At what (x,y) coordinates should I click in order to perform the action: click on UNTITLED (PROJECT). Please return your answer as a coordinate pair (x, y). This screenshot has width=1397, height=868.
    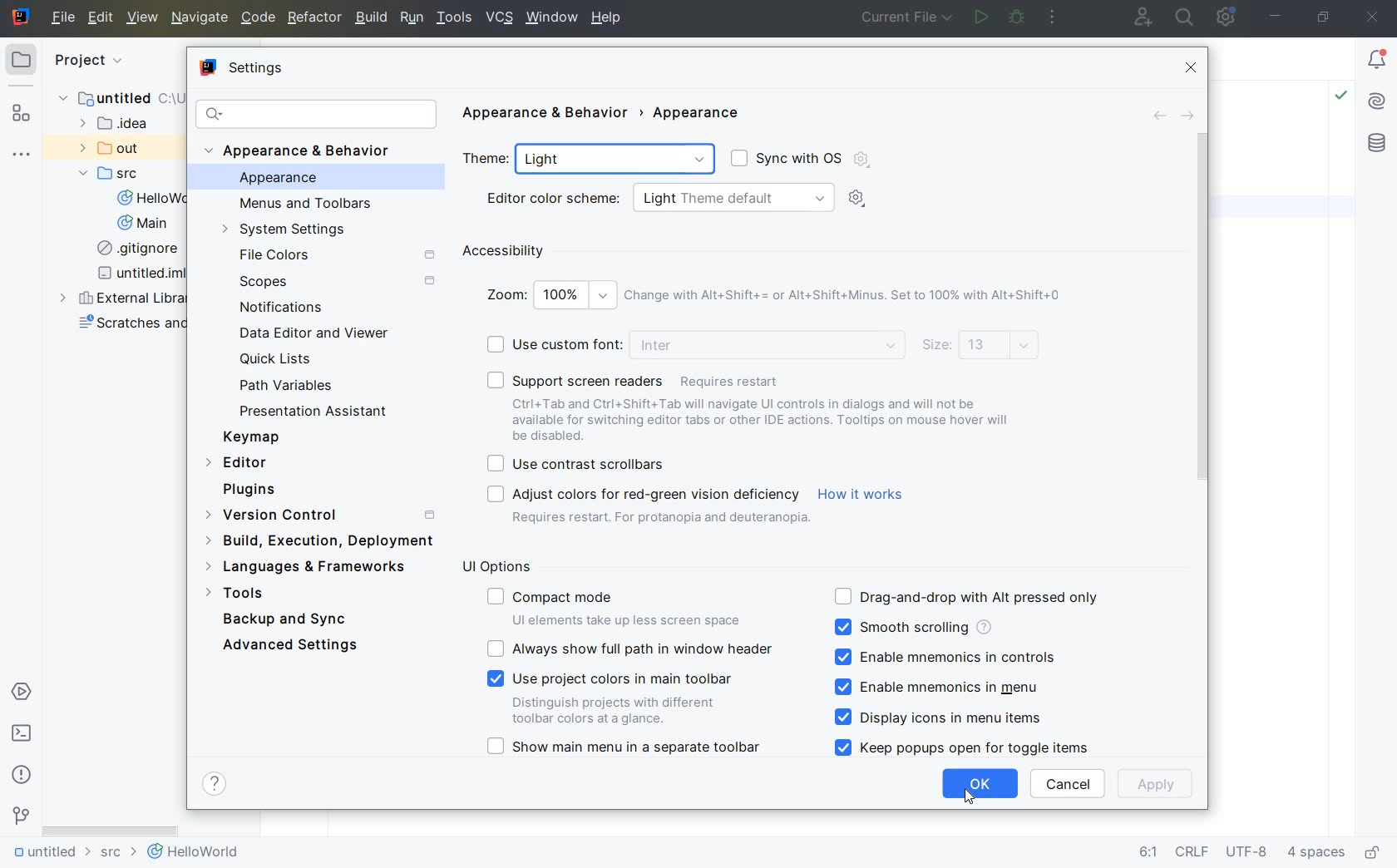
    Looking at the image, I should click on (112, 98).